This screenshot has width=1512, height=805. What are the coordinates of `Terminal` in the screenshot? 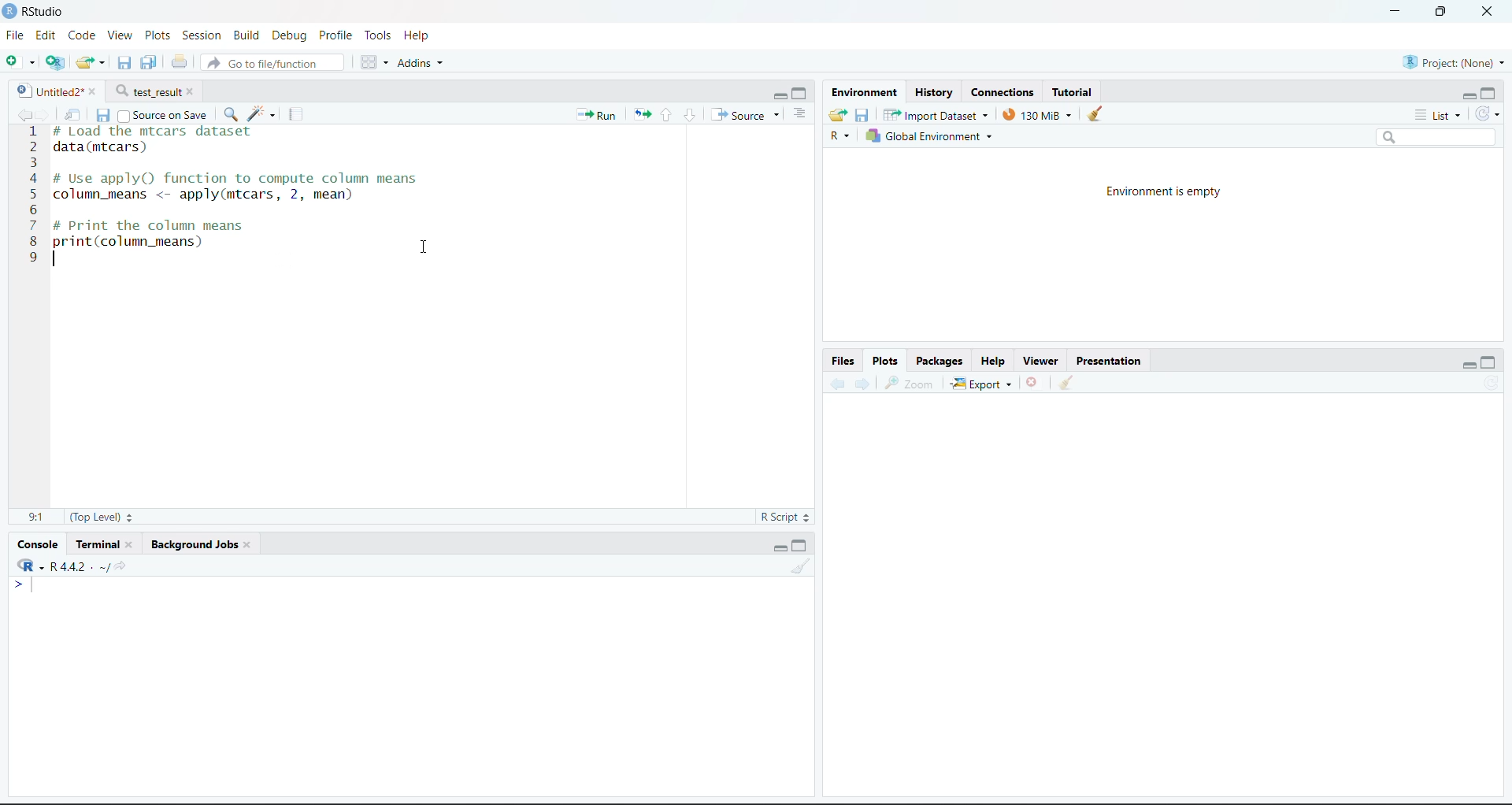 It's located at (106, 541).